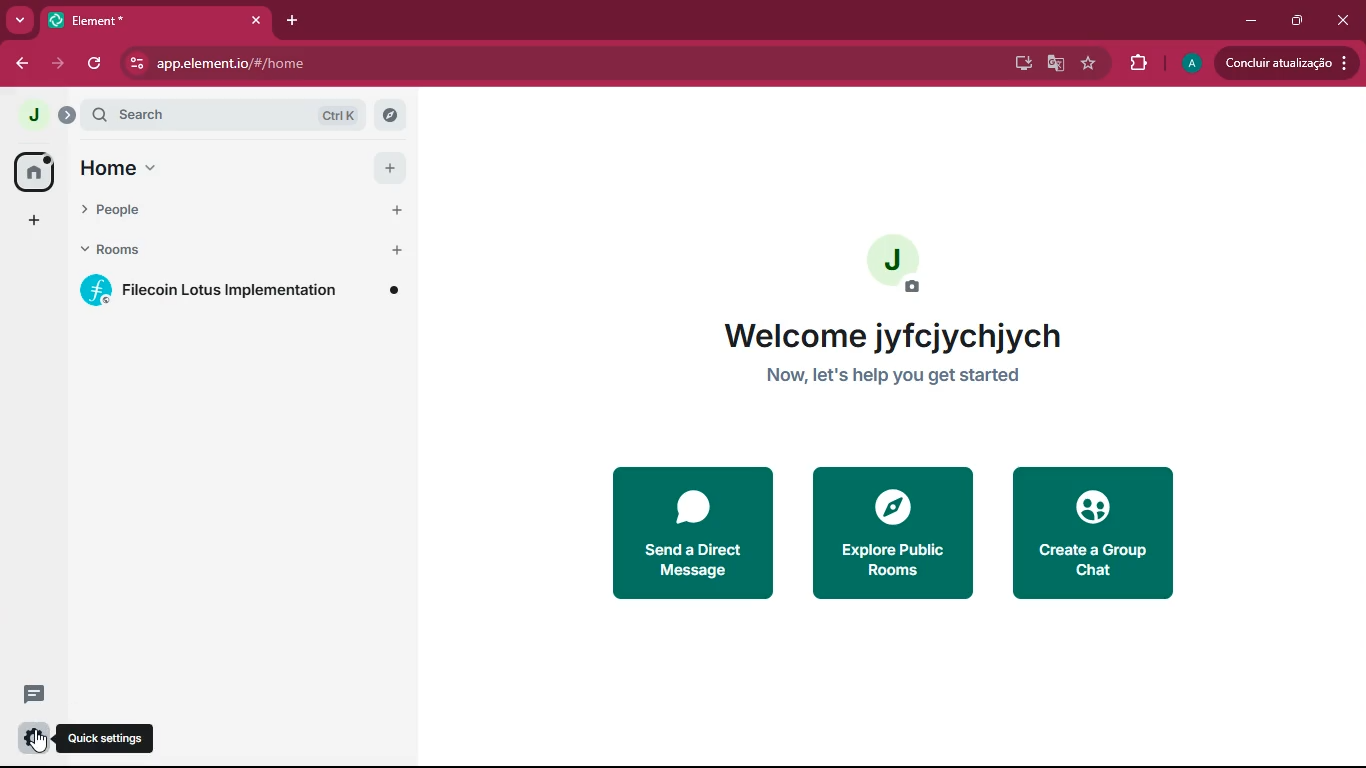  What do you see at coordinates (1097, 535) in the screenshot?
I see `create a group chat` at bounding box center [1097, 535].